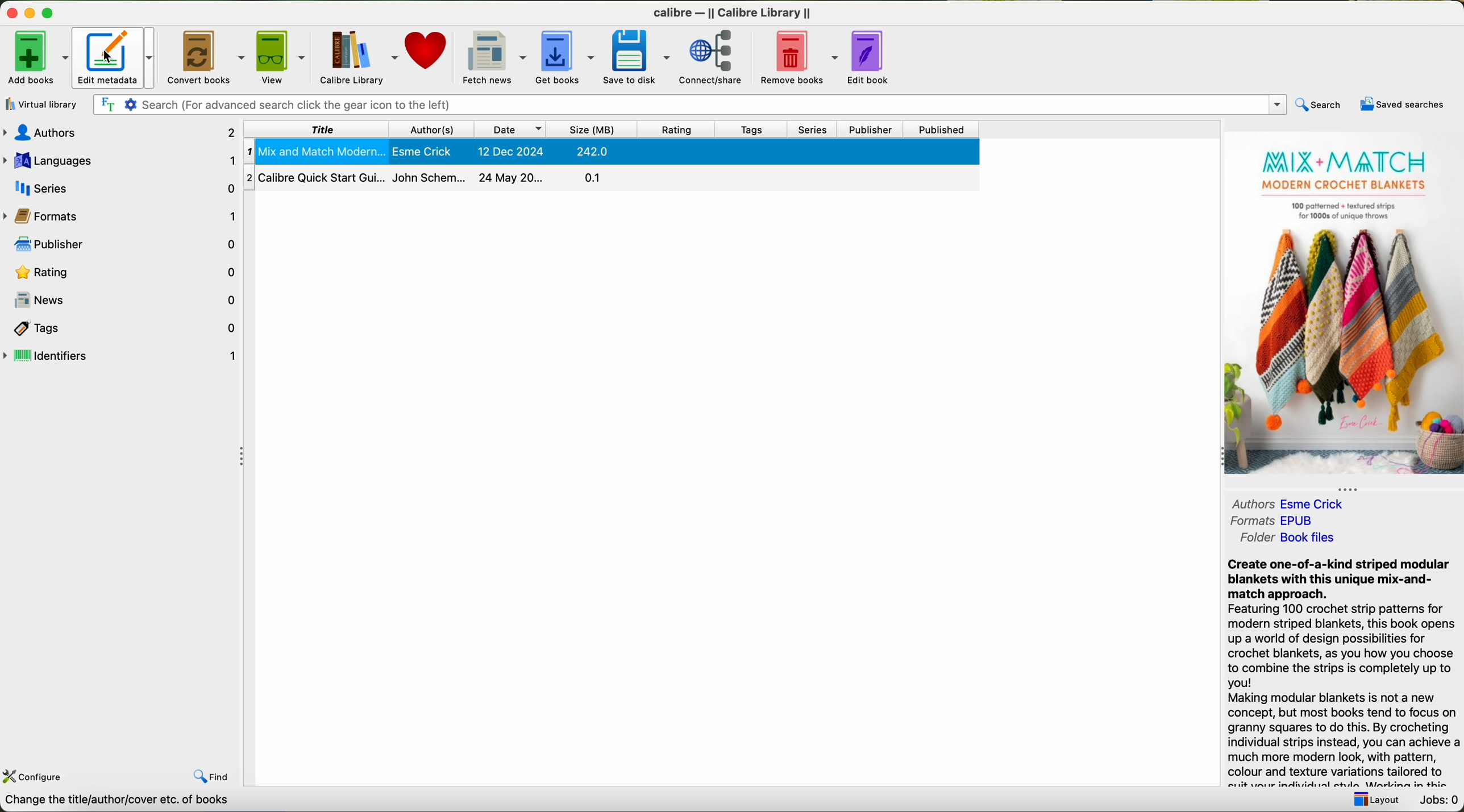  Describe the element at coordinates (32, 13) in the screenshot. I see `minimize program` at that location.